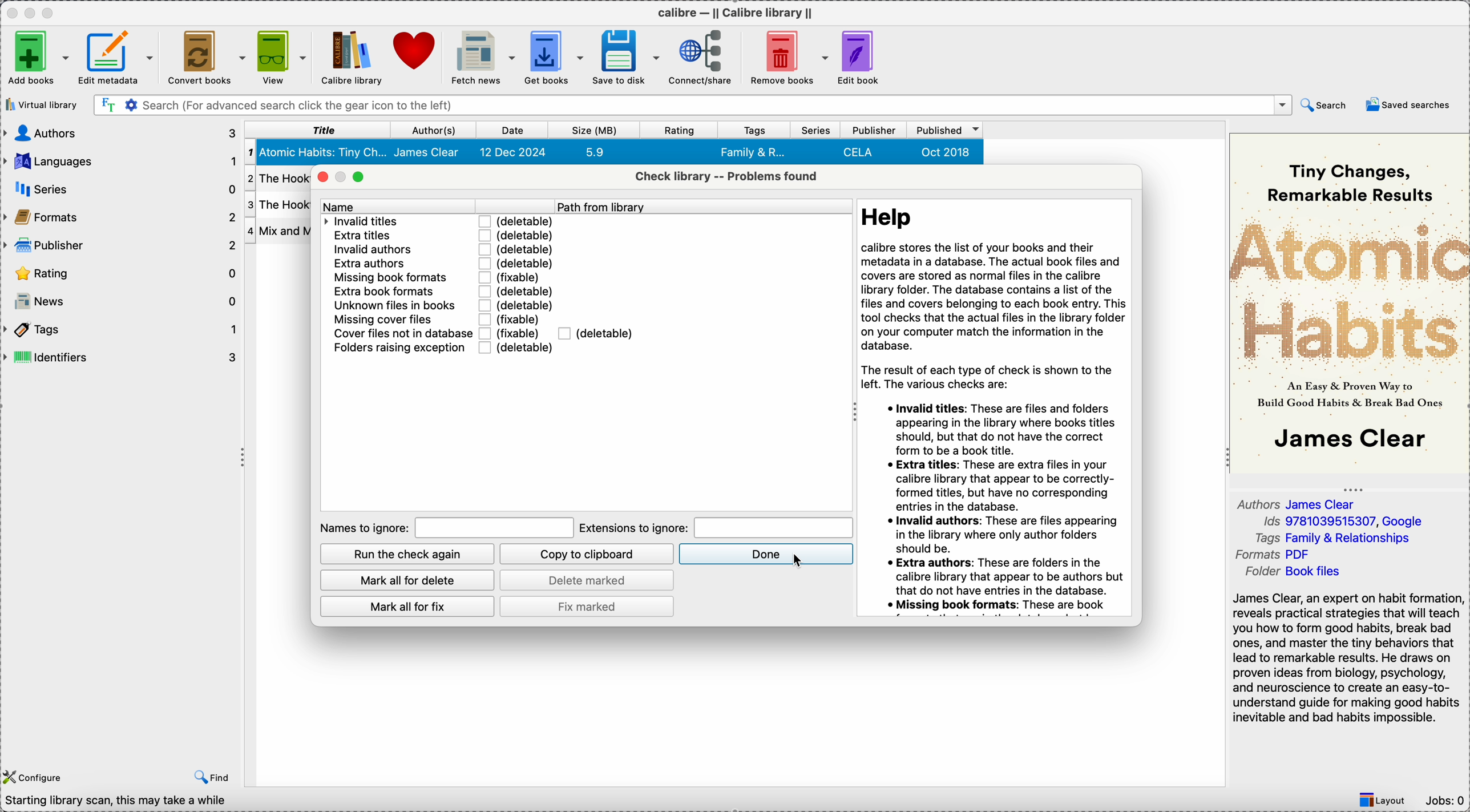 The height and width of the screenshot is (812, 1470). What do you see at coordinates (627, 58) in the screenshot?
I see `save to disk` at bounding box center [627, 58].